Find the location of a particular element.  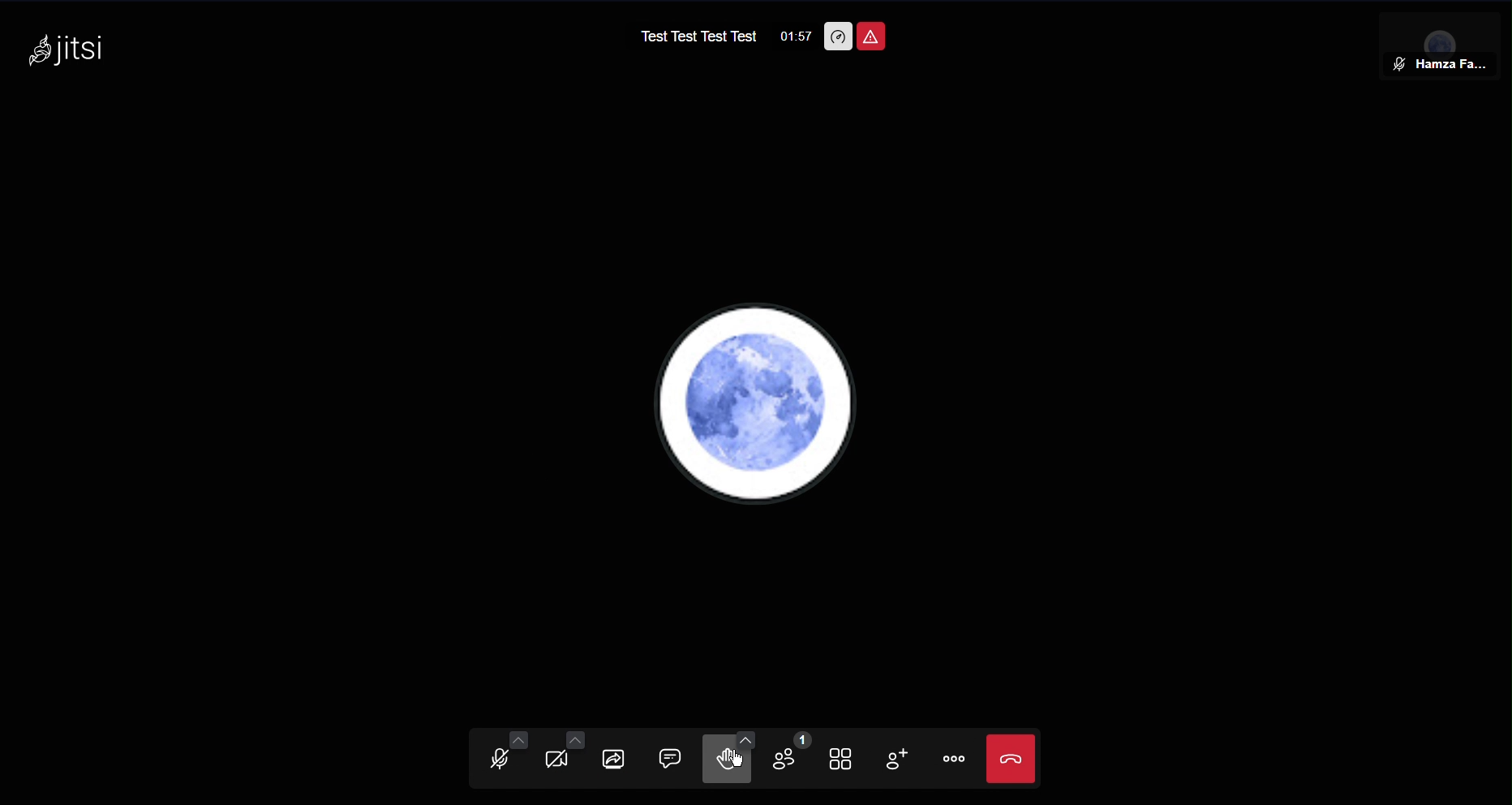

More is located at coordinates (961, 760).